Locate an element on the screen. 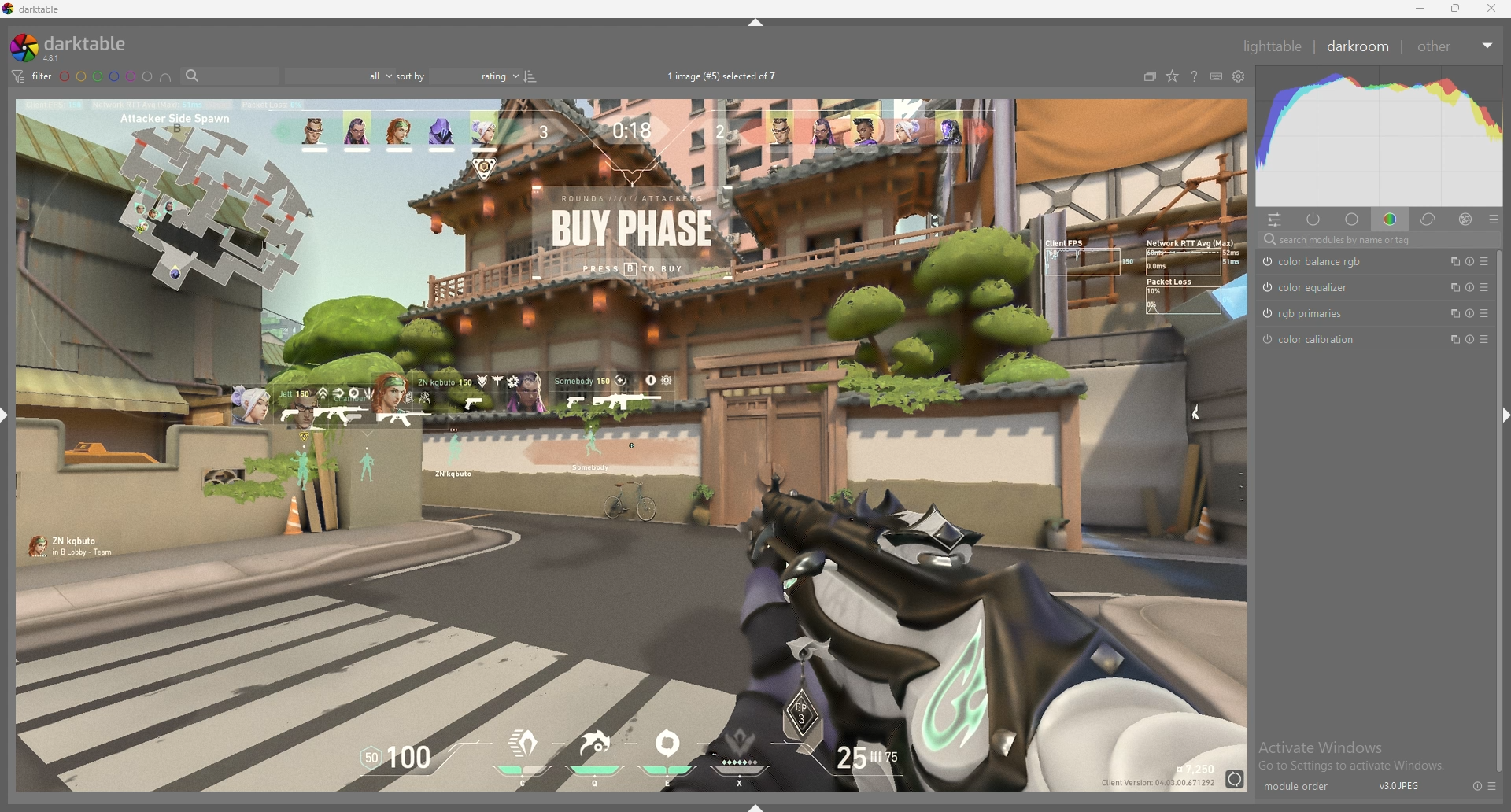  images selected is located at coordinates (725, 76).